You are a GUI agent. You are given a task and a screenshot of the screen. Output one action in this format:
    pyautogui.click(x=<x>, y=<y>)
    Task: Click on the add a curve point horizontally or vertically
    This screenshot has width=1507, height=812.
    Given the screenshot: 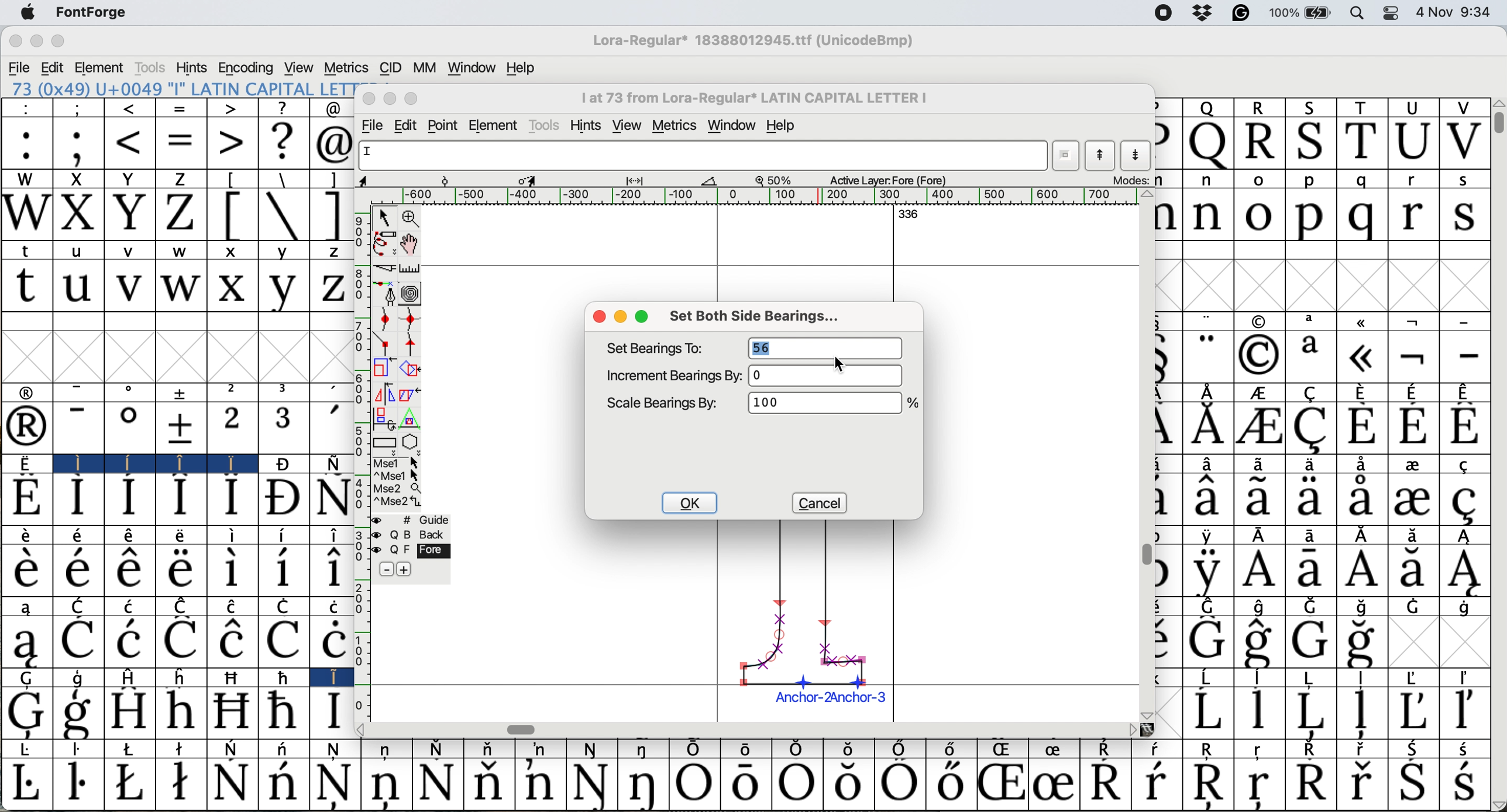 What is the action you would take?
    pyautogui.click(x=410, y=319)
    